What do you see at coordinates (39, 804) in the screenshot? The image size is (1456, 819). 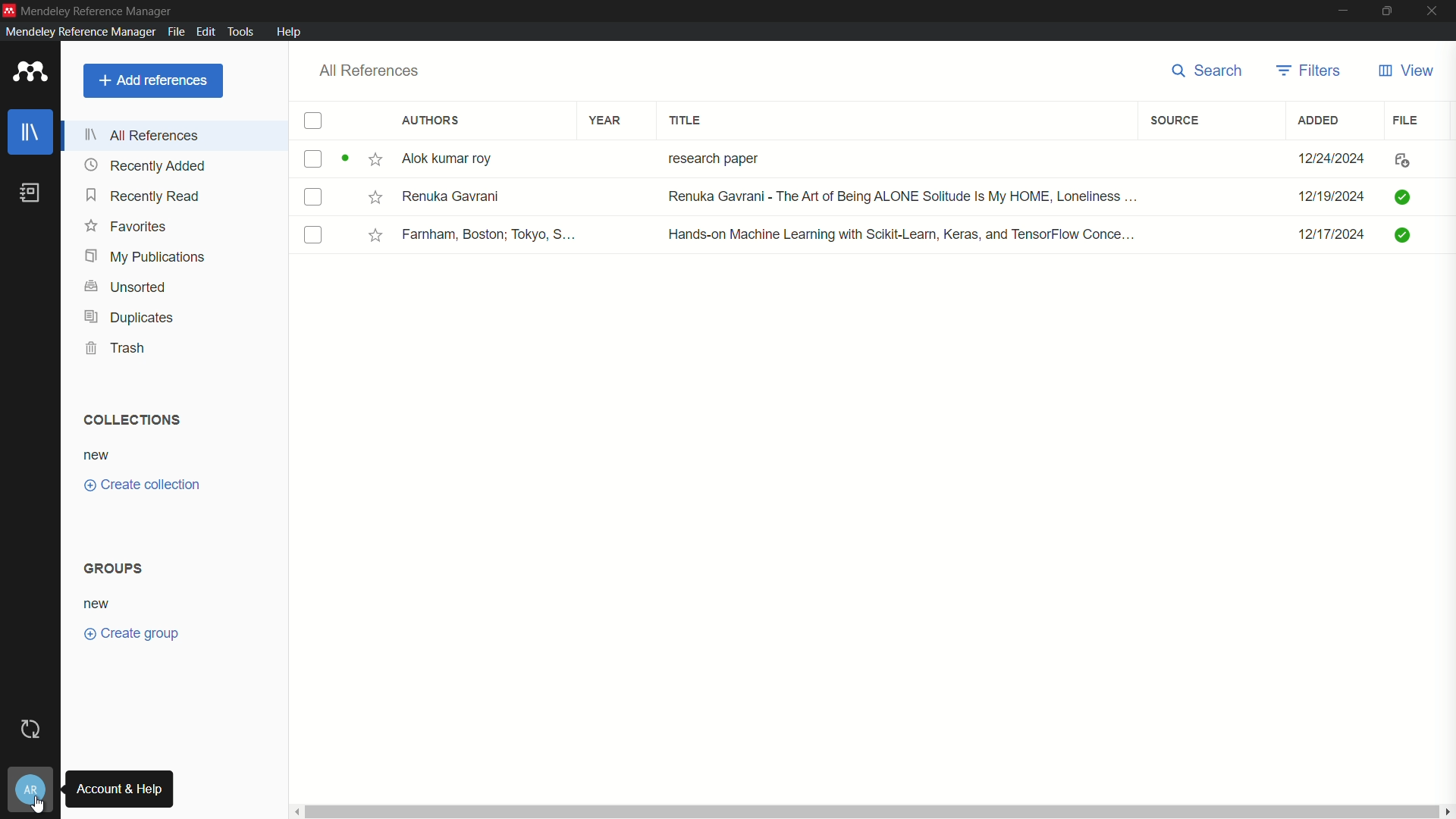 I see `cursor` at bounding box center [39, 804].